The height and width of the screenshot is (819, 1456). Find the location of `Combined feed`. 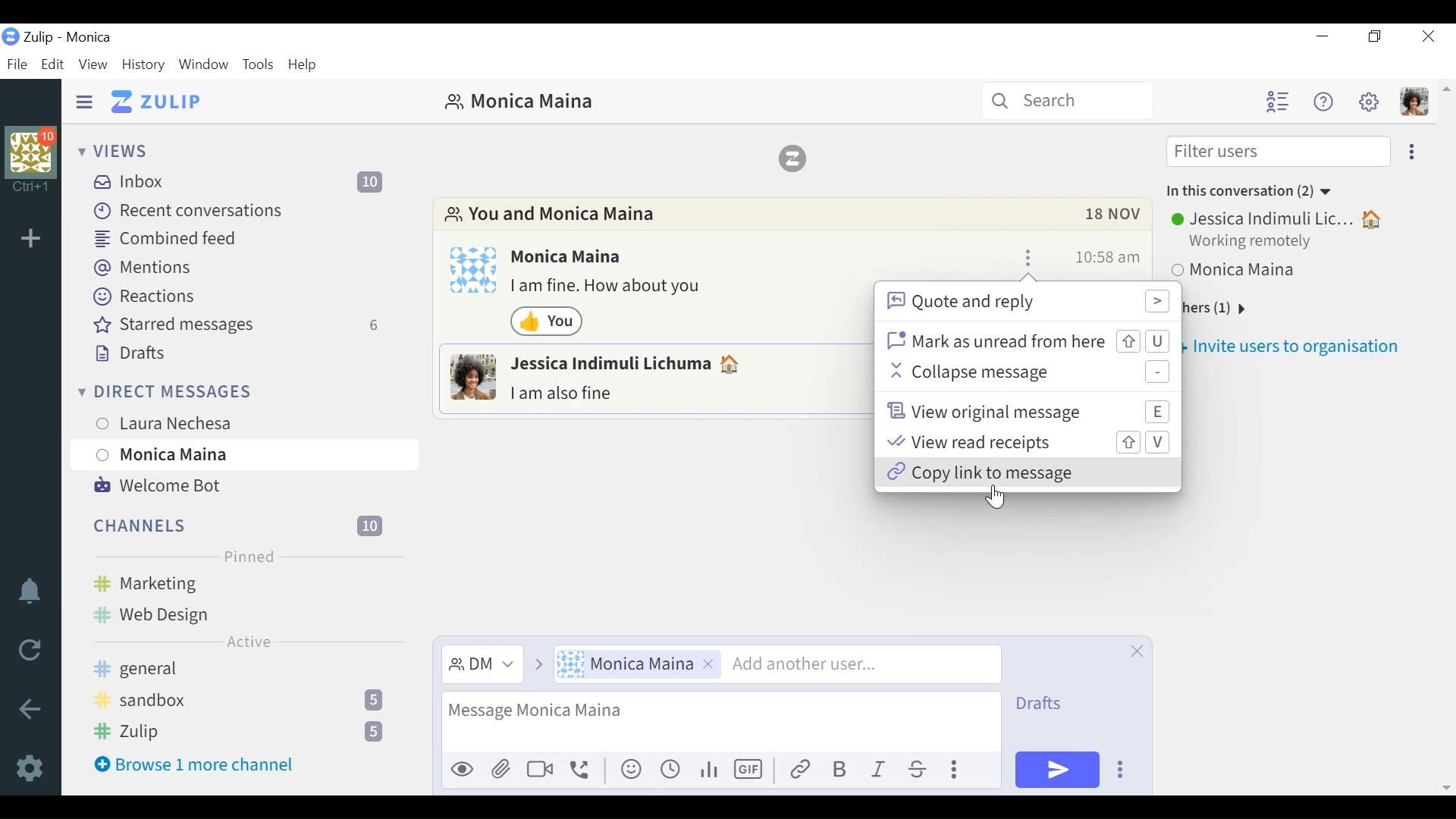

Combined feed is located at coordinates (162, 237).